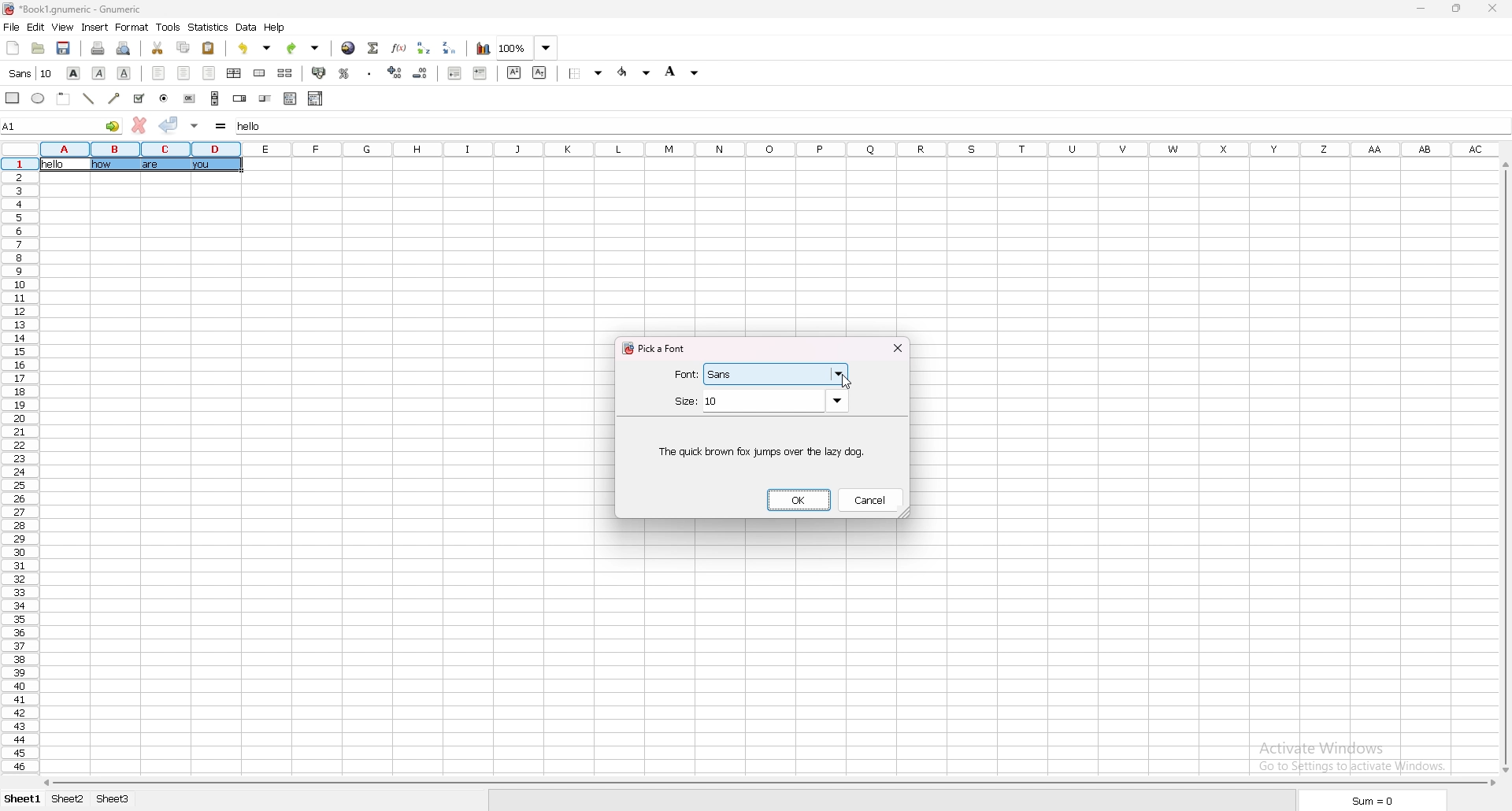 The width and height of the screenshot is (1512, 811). I want to click on ok, so click(799, 499).